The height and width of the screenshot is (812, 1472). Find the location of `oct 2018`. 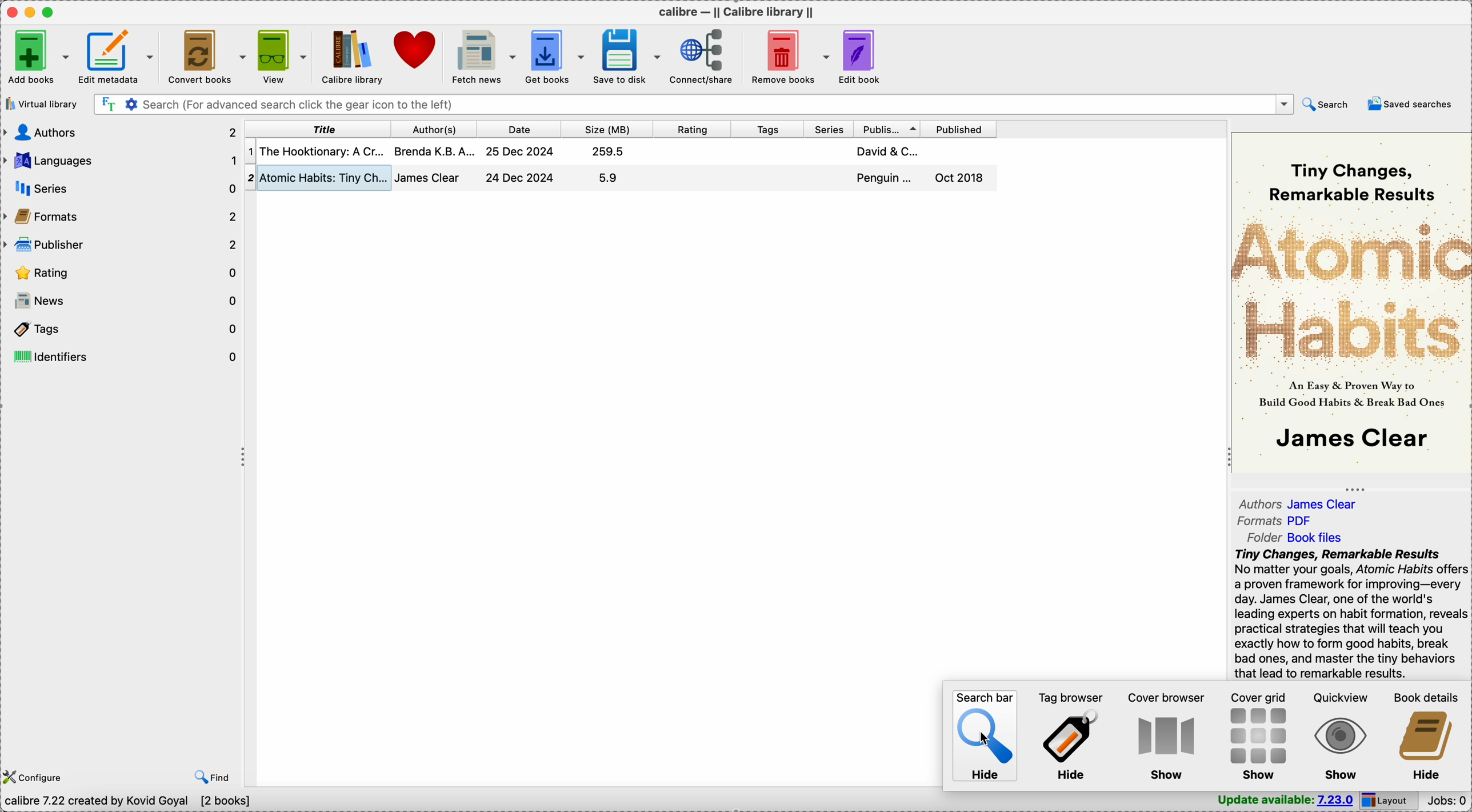

oct 2018 is located at coordinates (959, 177).